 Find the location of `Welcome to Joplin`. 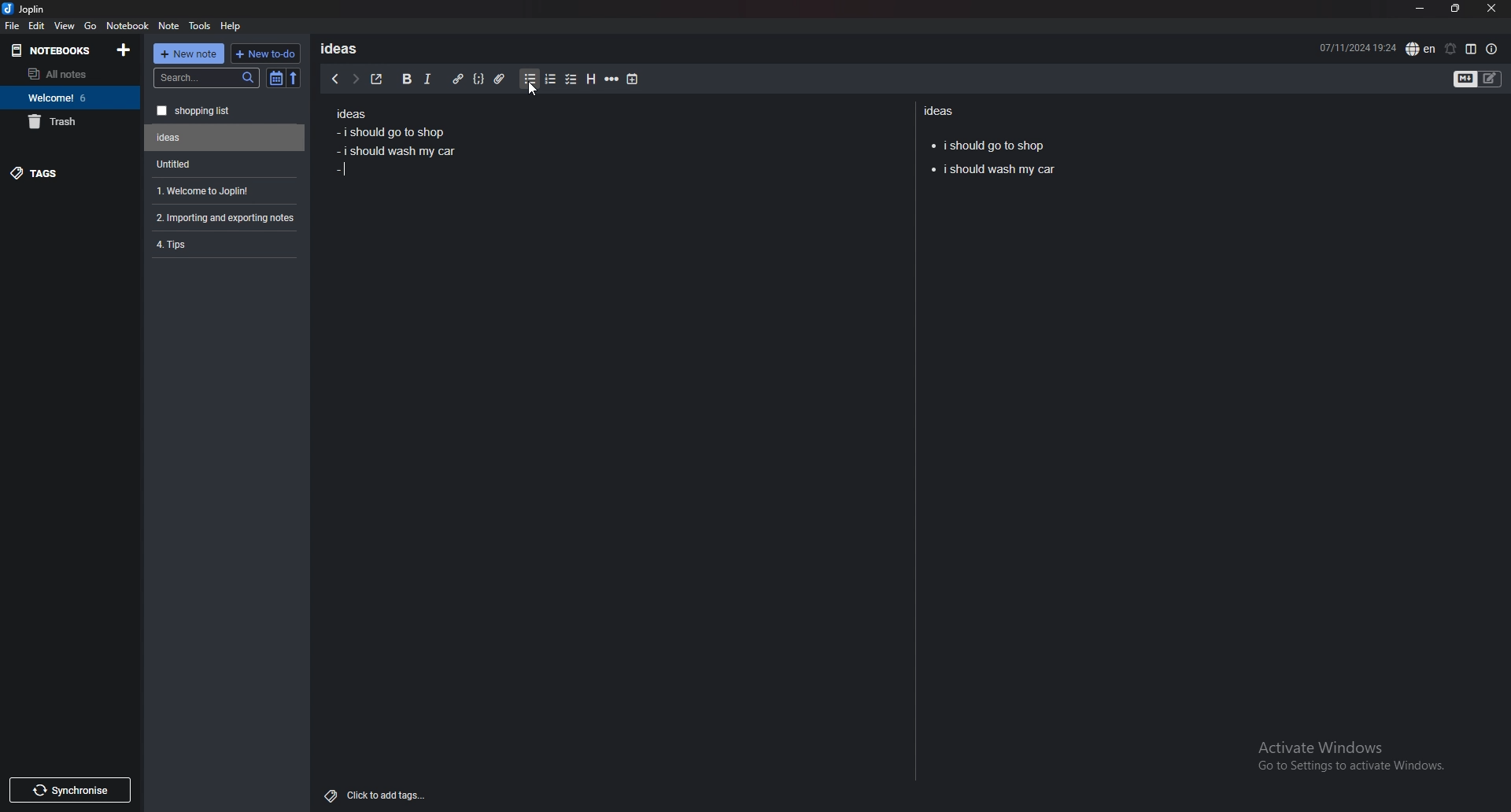

Welcome to Joplin is located at coordinates (222, 190).